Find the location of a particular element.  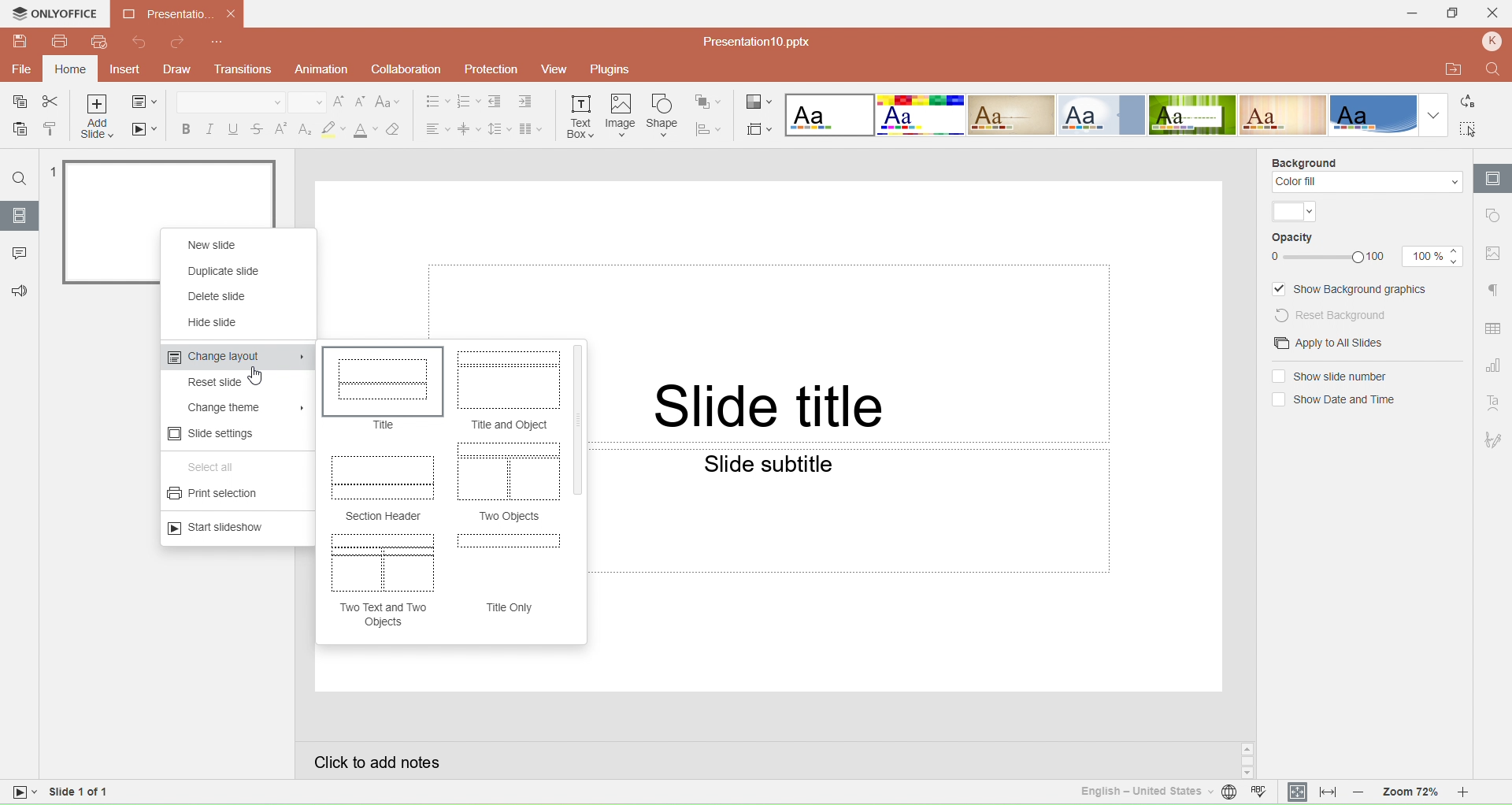

Replace is located at coordinates (1473, 103).